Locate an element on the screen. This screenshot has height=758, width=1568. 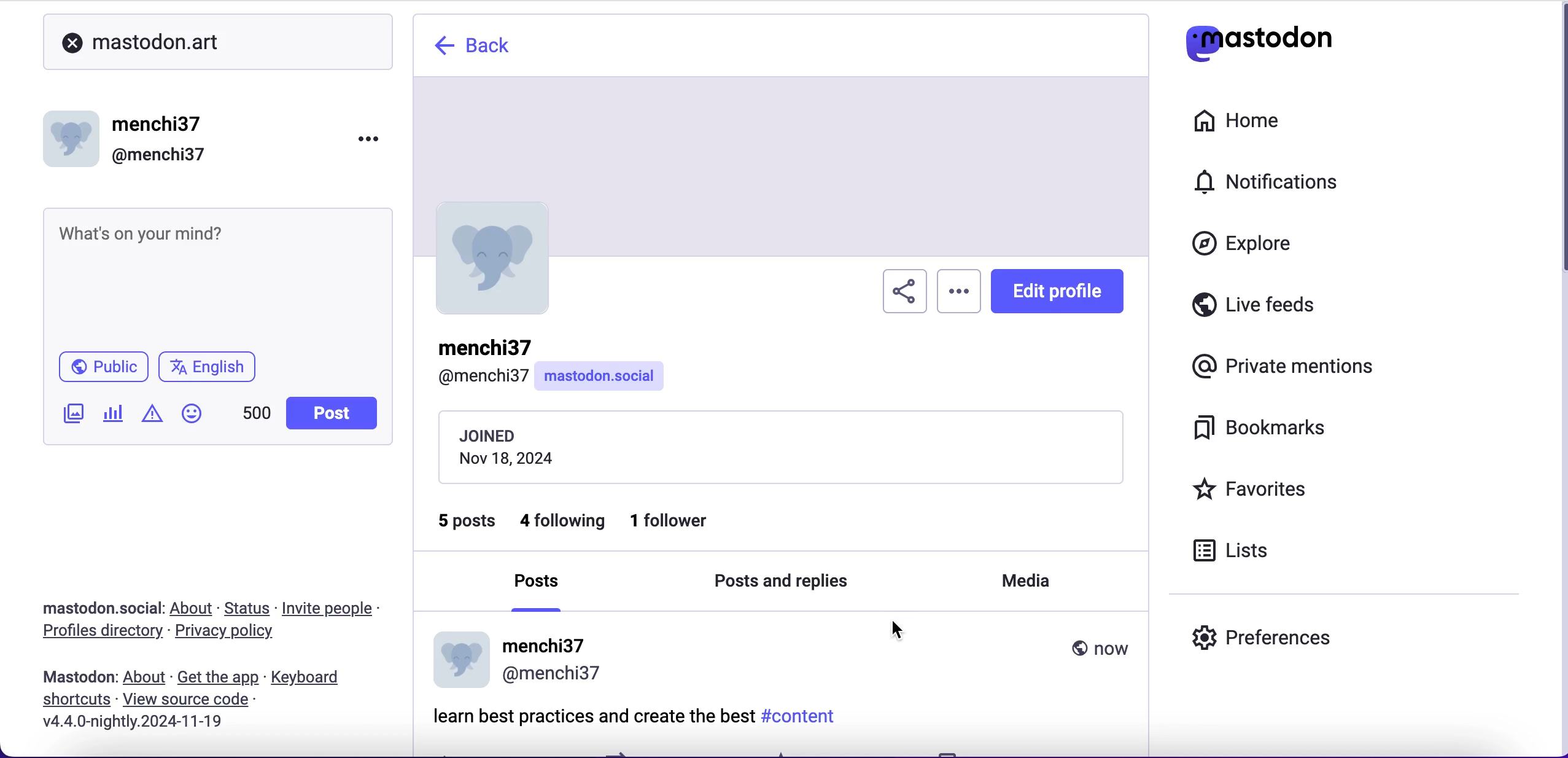
menchi37 is located at coordinates (159, 125).